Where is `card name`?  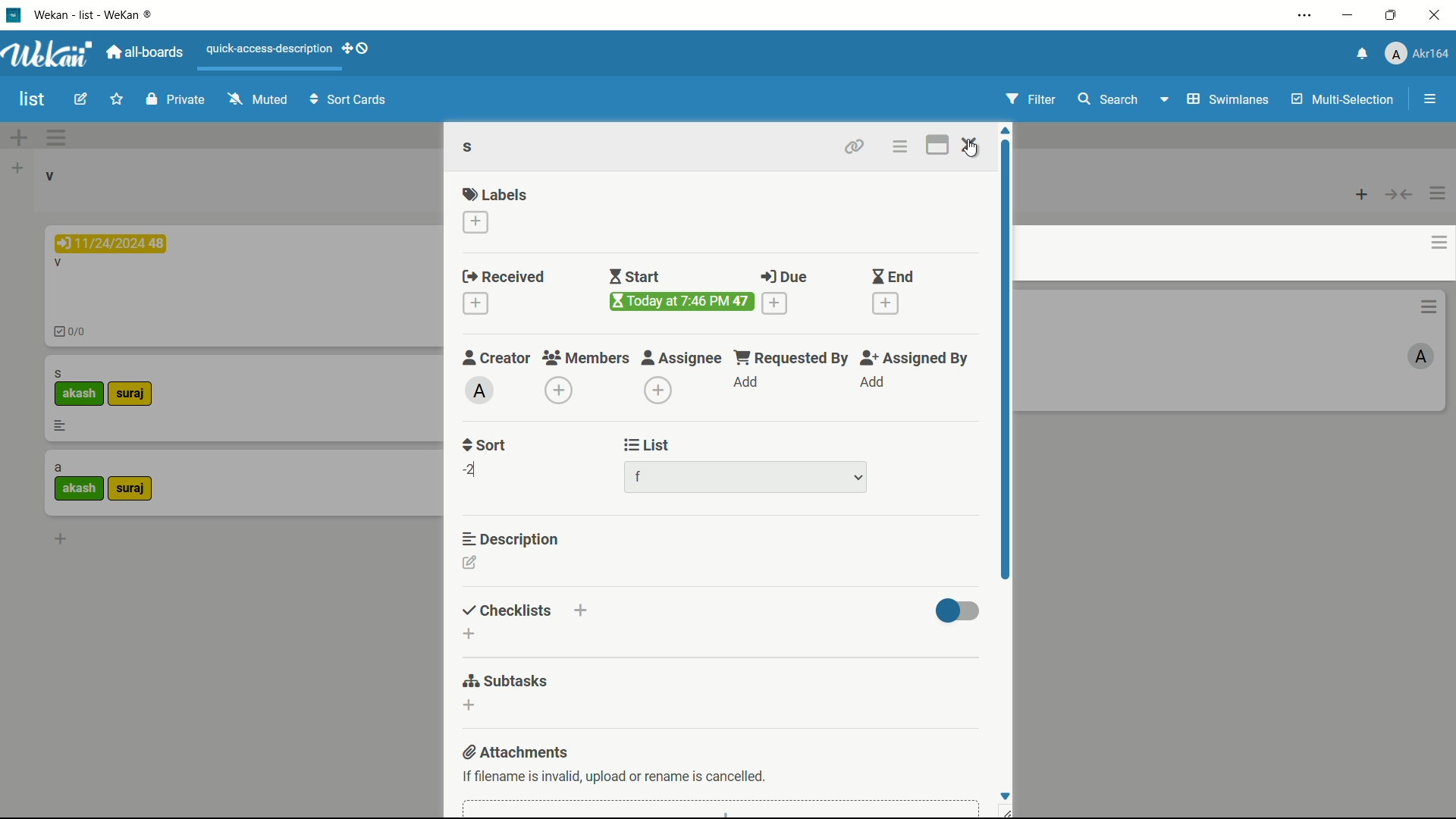
card name is located at coordinates (58, 469).